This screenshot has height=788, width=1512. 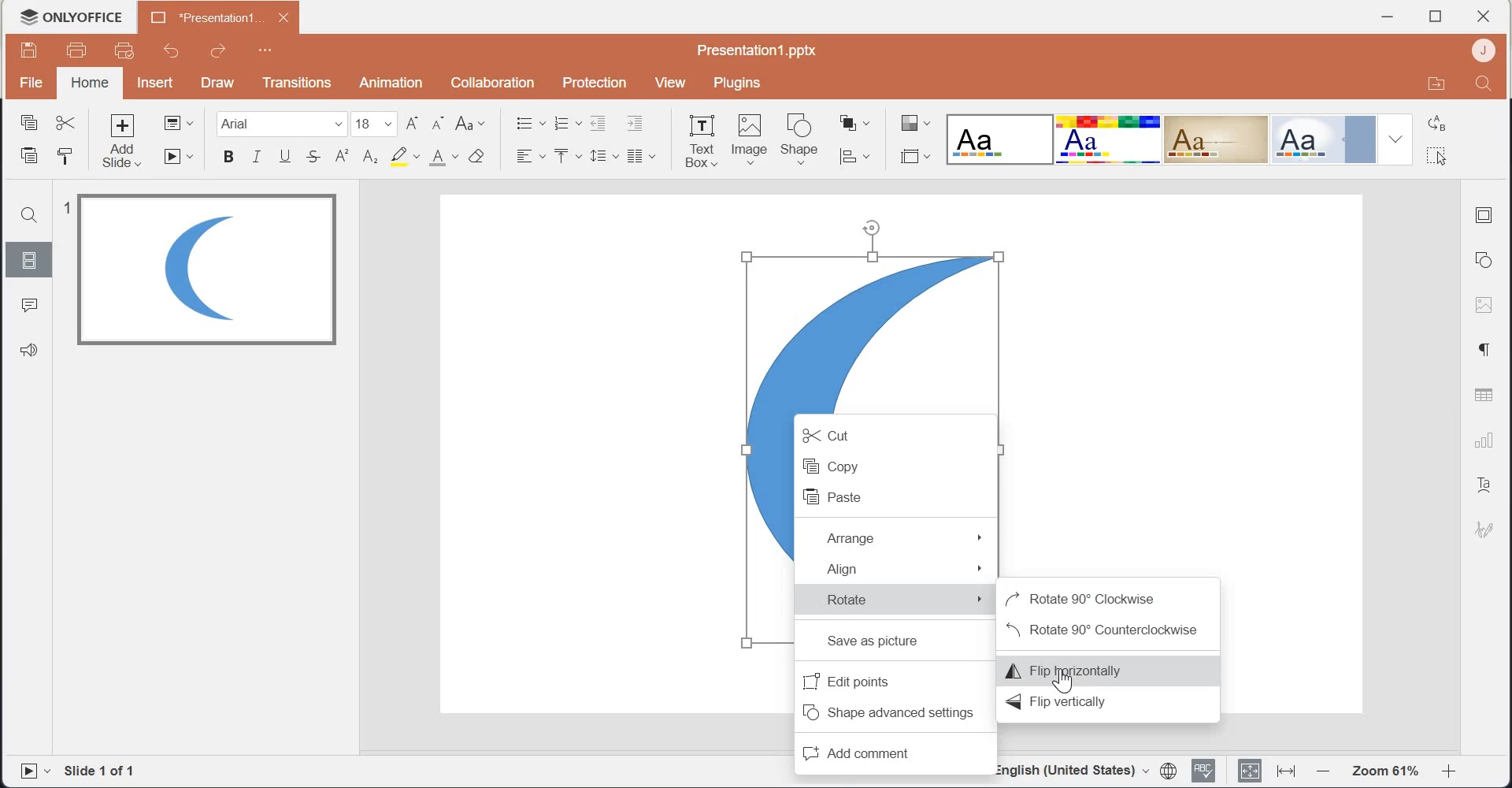 I want to click on Drop down, so click(x=1394, y=139).